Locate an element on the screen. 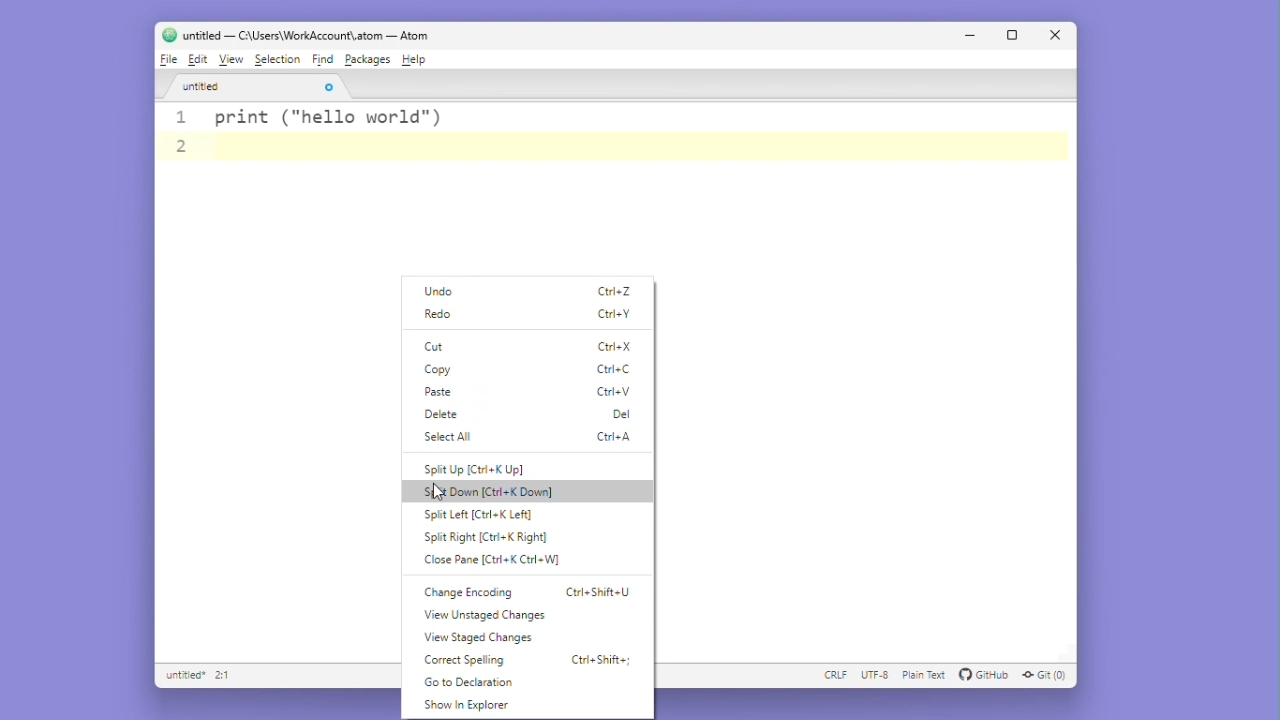 This screenshot has width=1280, height=720. View unstaged changes is located at coordinates (484, 616).